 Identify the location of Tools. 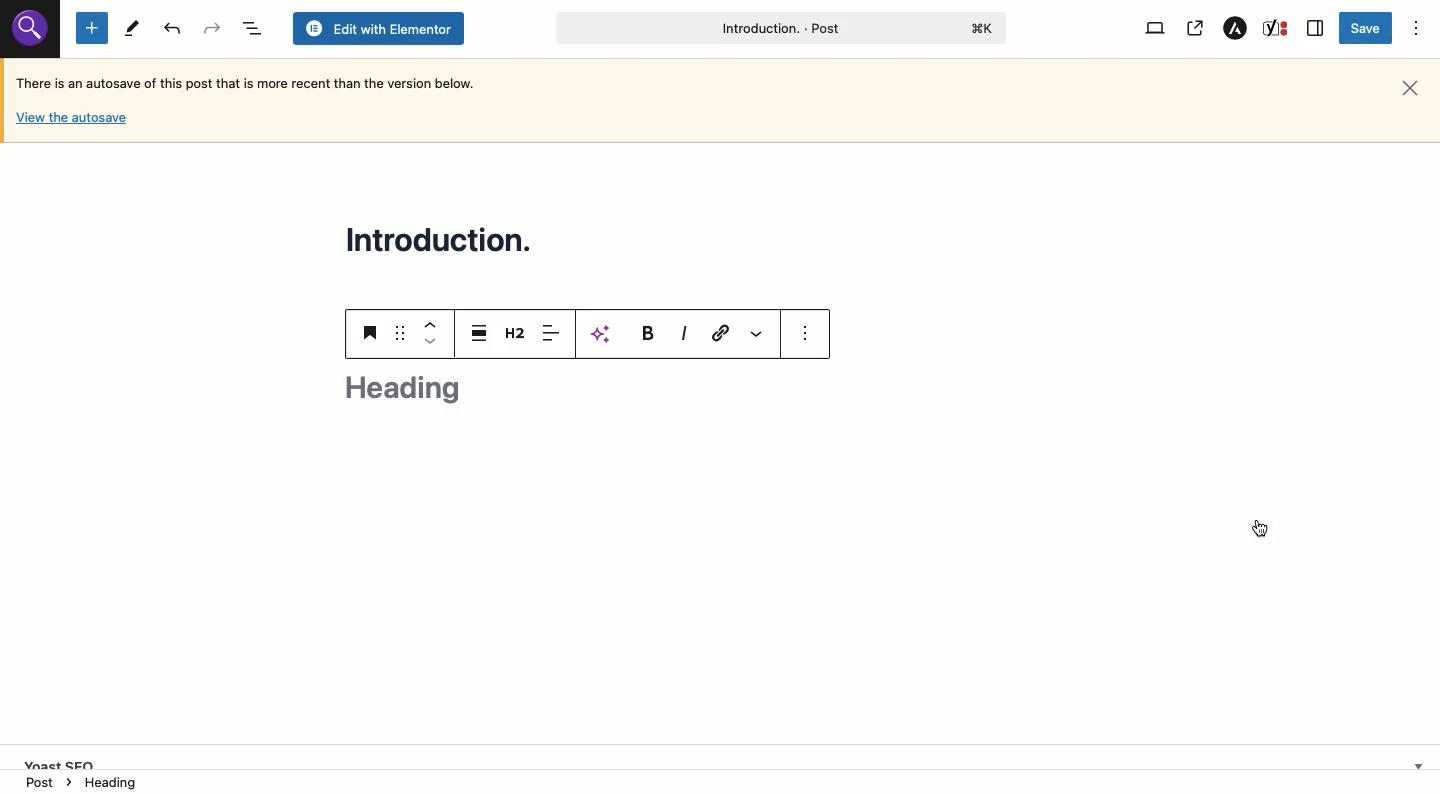
(131, 29).